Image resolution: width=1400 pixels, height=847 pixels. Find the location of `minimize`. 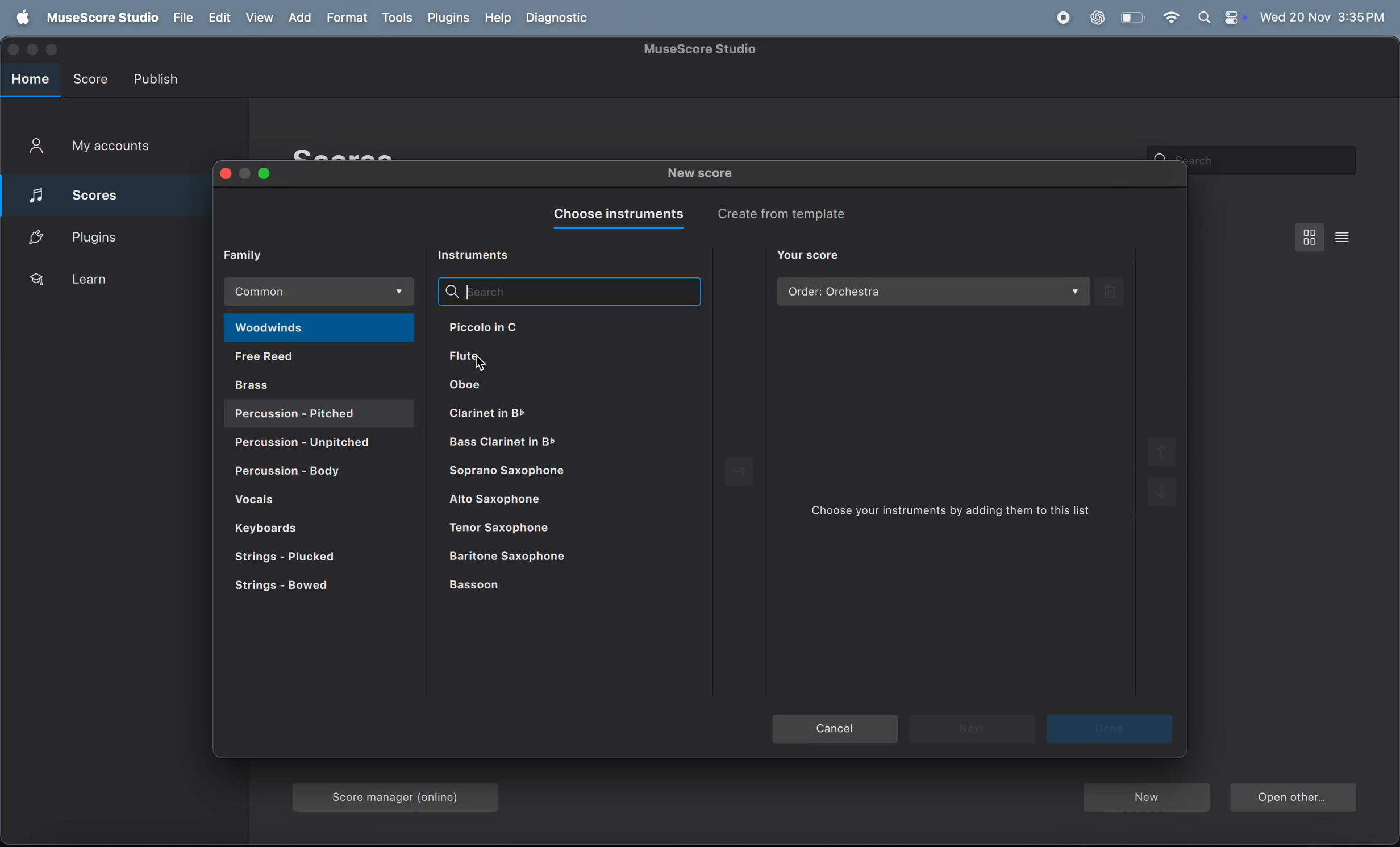

minimize is located at coordinates (35, 50).